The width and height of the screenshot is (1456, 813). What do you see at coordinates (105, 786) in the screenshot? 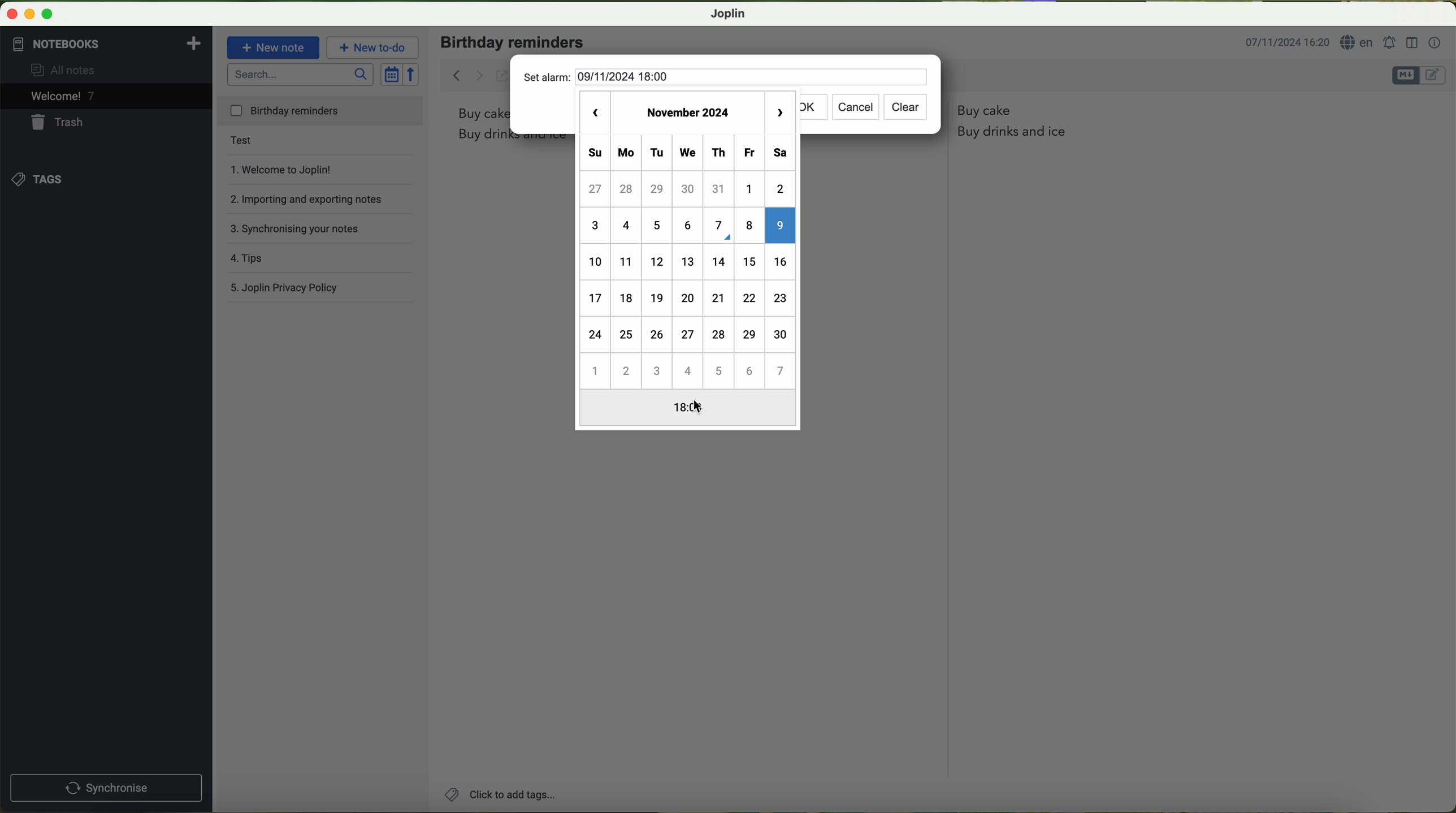
I see `synchronise button` at bounding box center [105, 786].